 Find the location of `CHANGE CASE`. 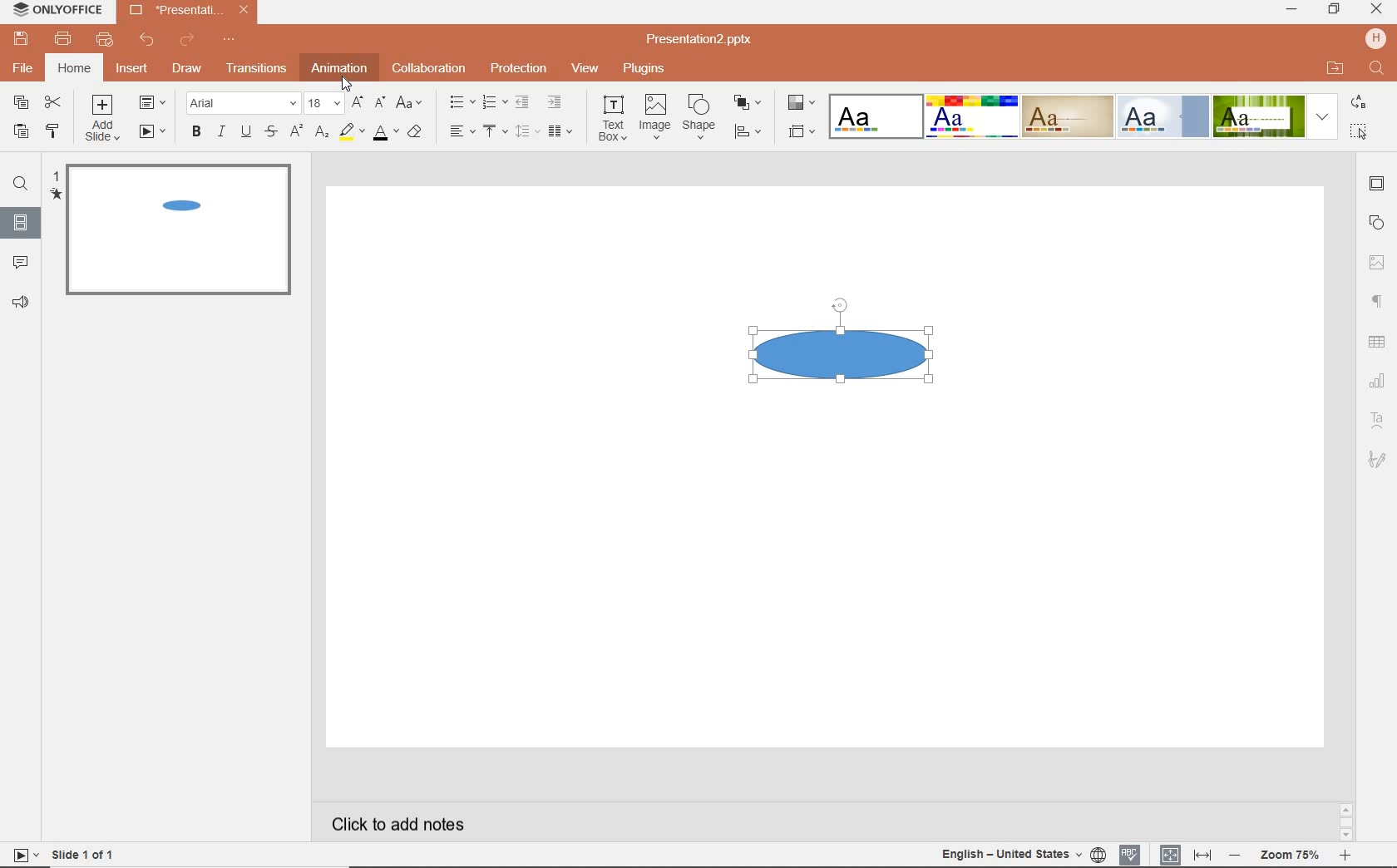

CHANGE CASE is located at coordinates (412, 103).